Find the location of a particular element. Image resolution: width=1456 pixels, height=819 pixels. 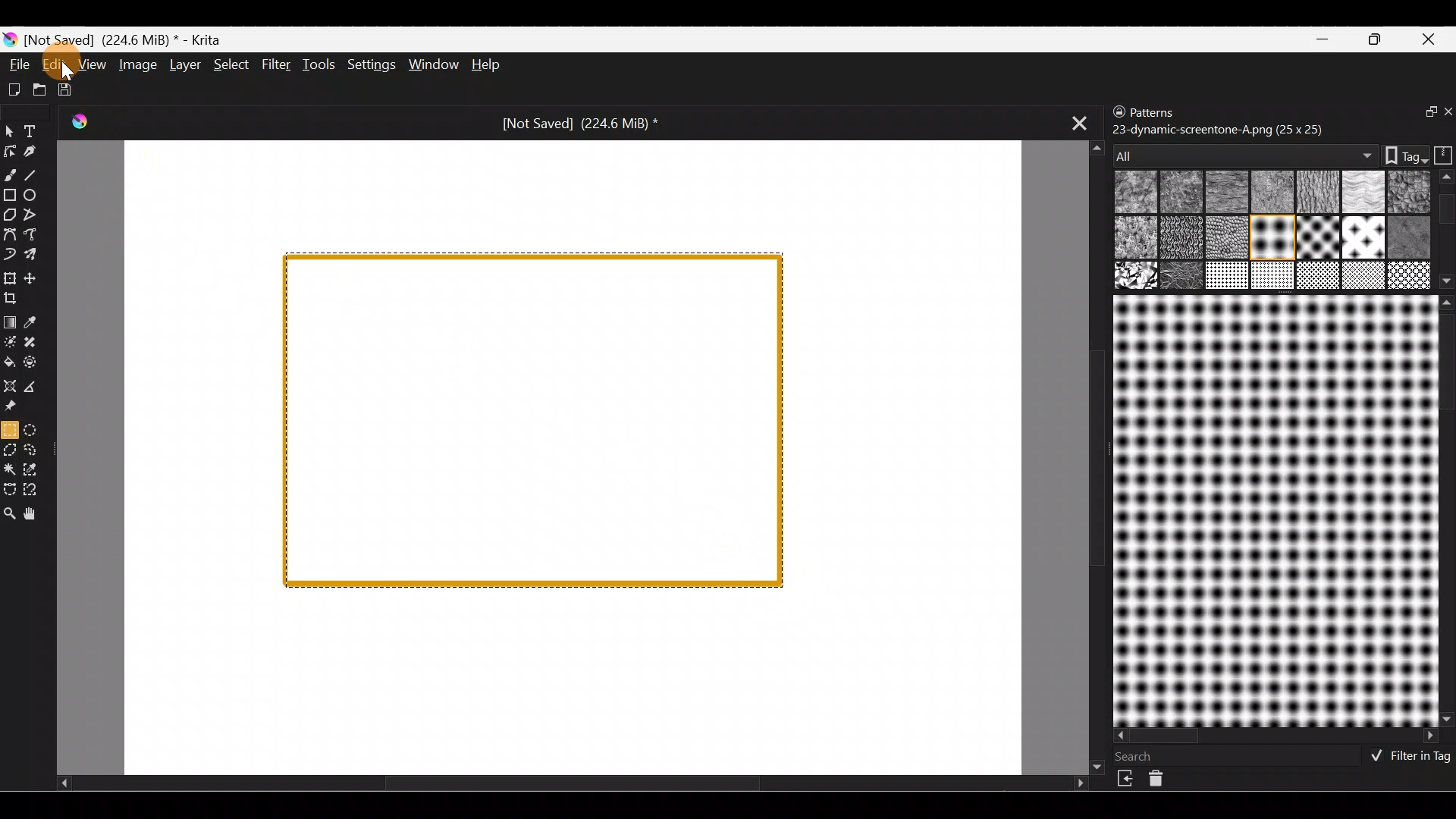

Tags is located at coordinates (1398, 154).